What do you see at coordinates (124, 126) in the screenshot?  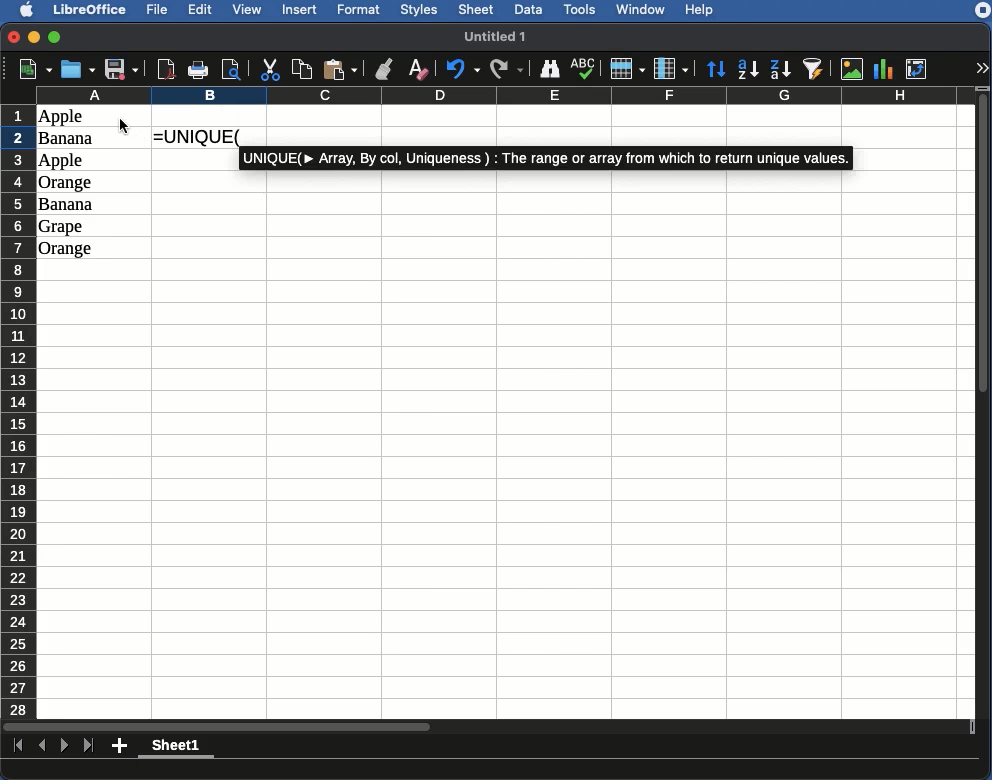 I see `Cursor` at bounding box center [124, 126].